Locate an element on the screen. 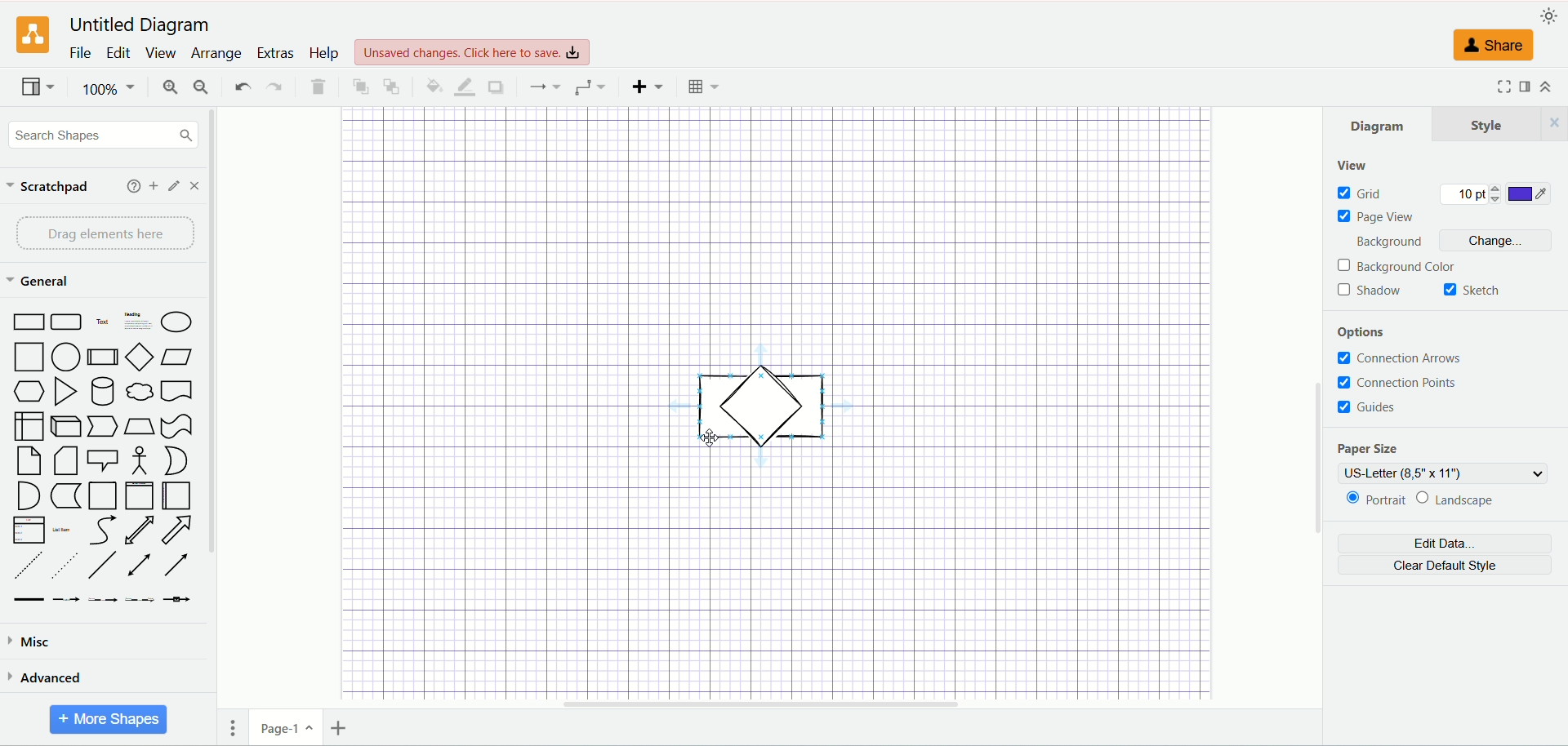  Bidirectional arrow is located at coordinates (137, 529).